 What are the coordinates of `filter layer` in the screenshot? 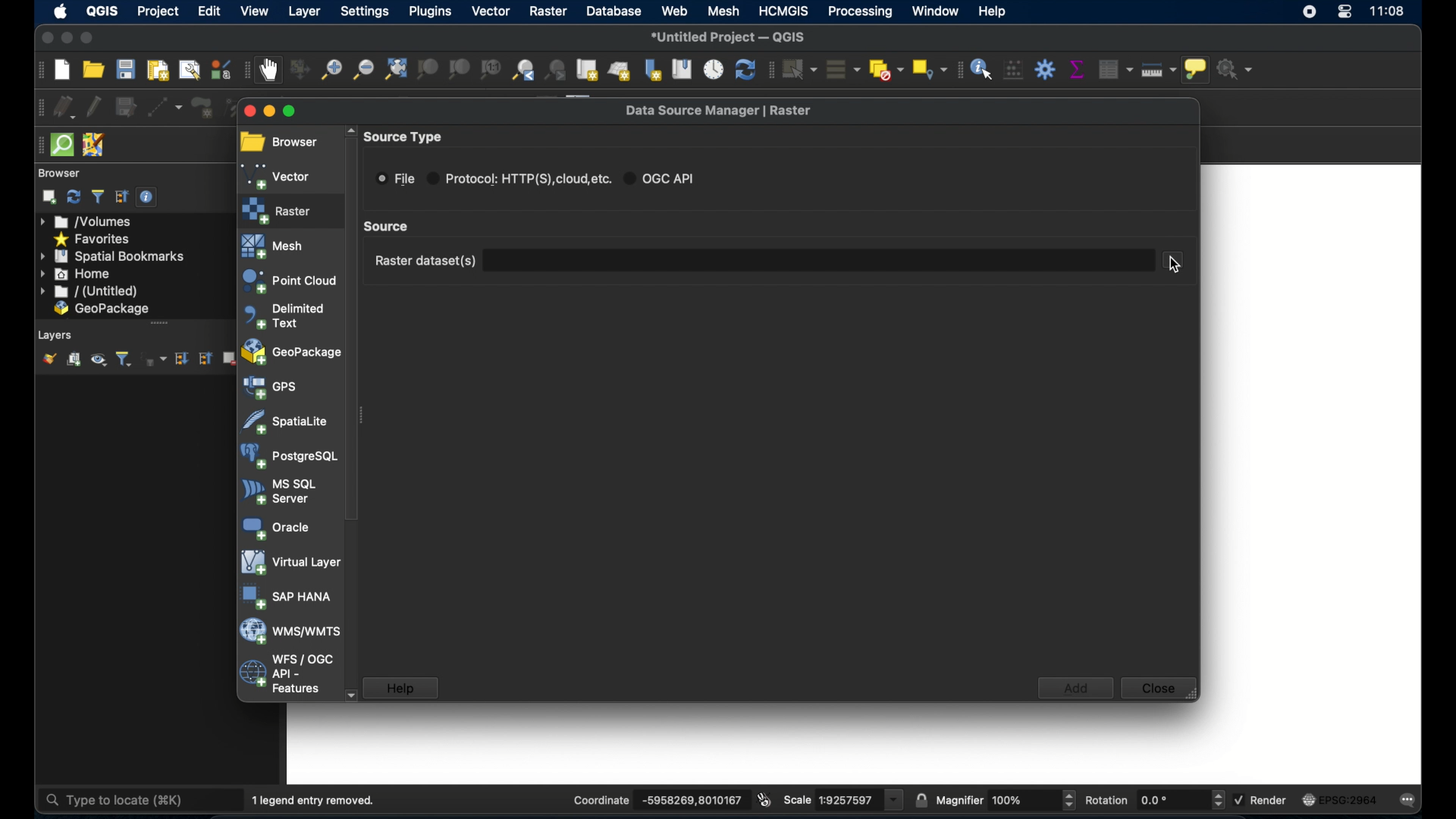 It's located at (124, 359).